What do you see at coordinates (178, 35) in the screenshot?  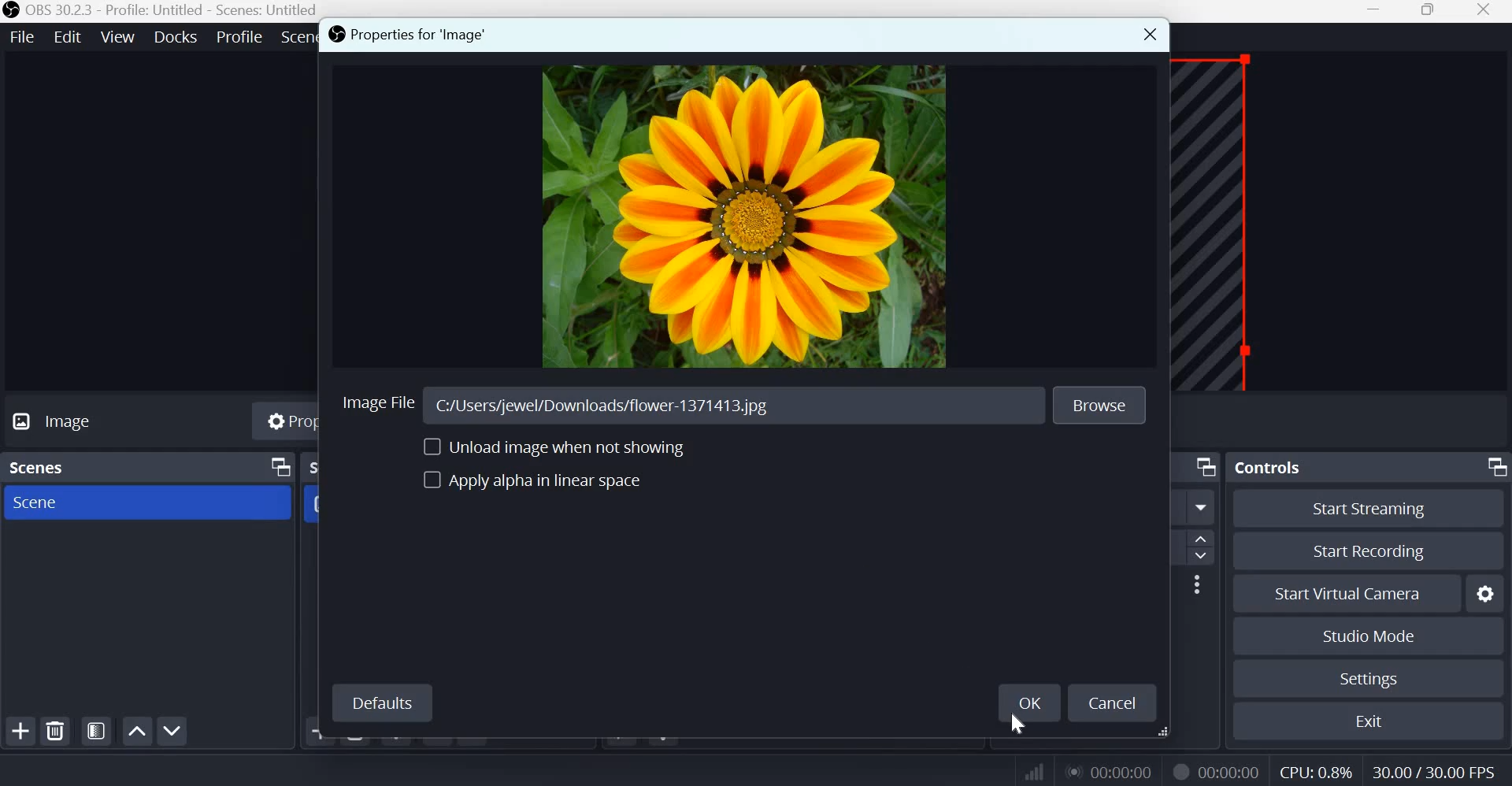 I see `docks` at bounding box center [178, 35].